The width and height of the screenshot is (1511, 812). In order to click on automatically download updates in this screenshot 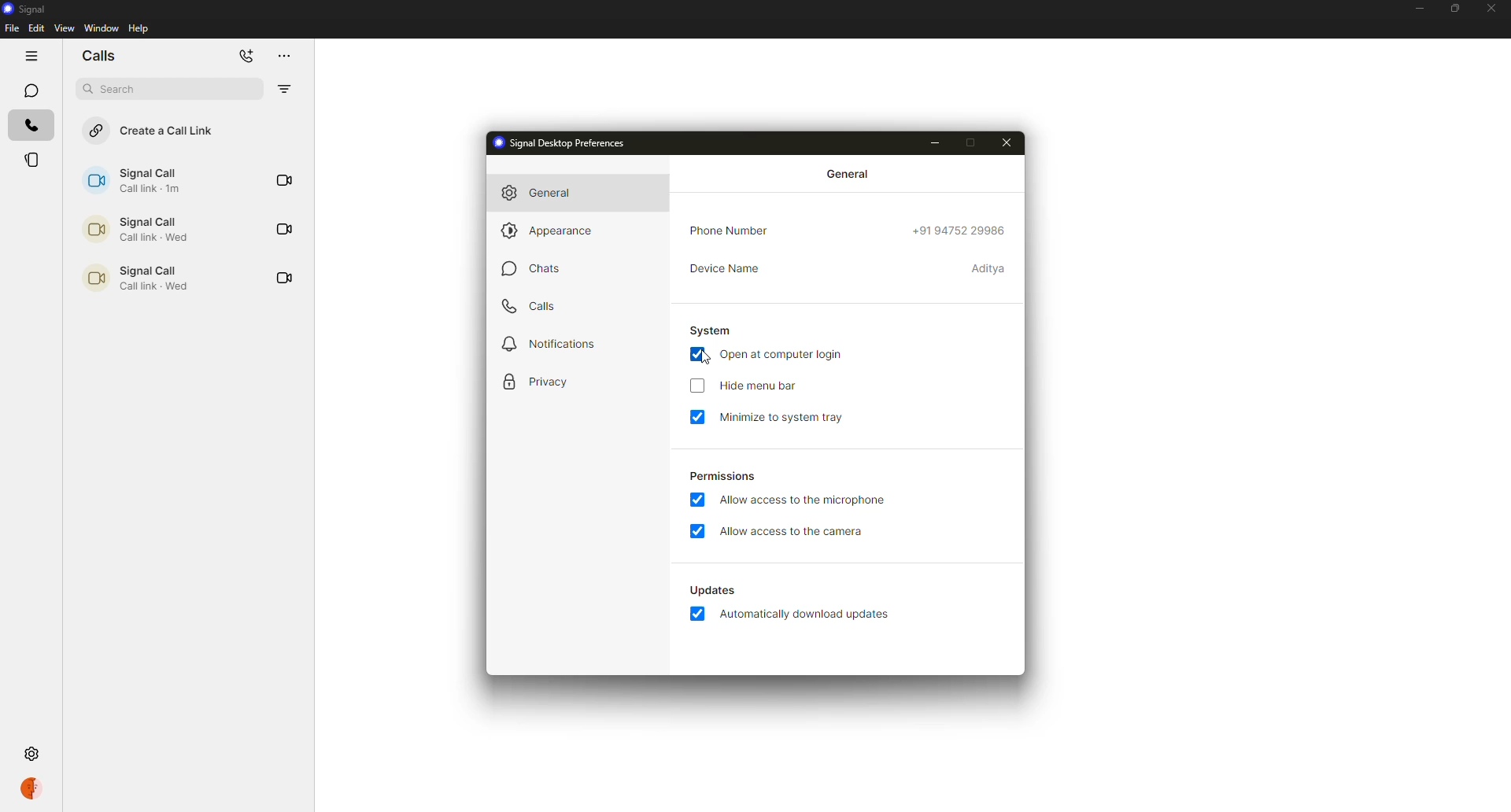, I will do `click(808, 615)`.